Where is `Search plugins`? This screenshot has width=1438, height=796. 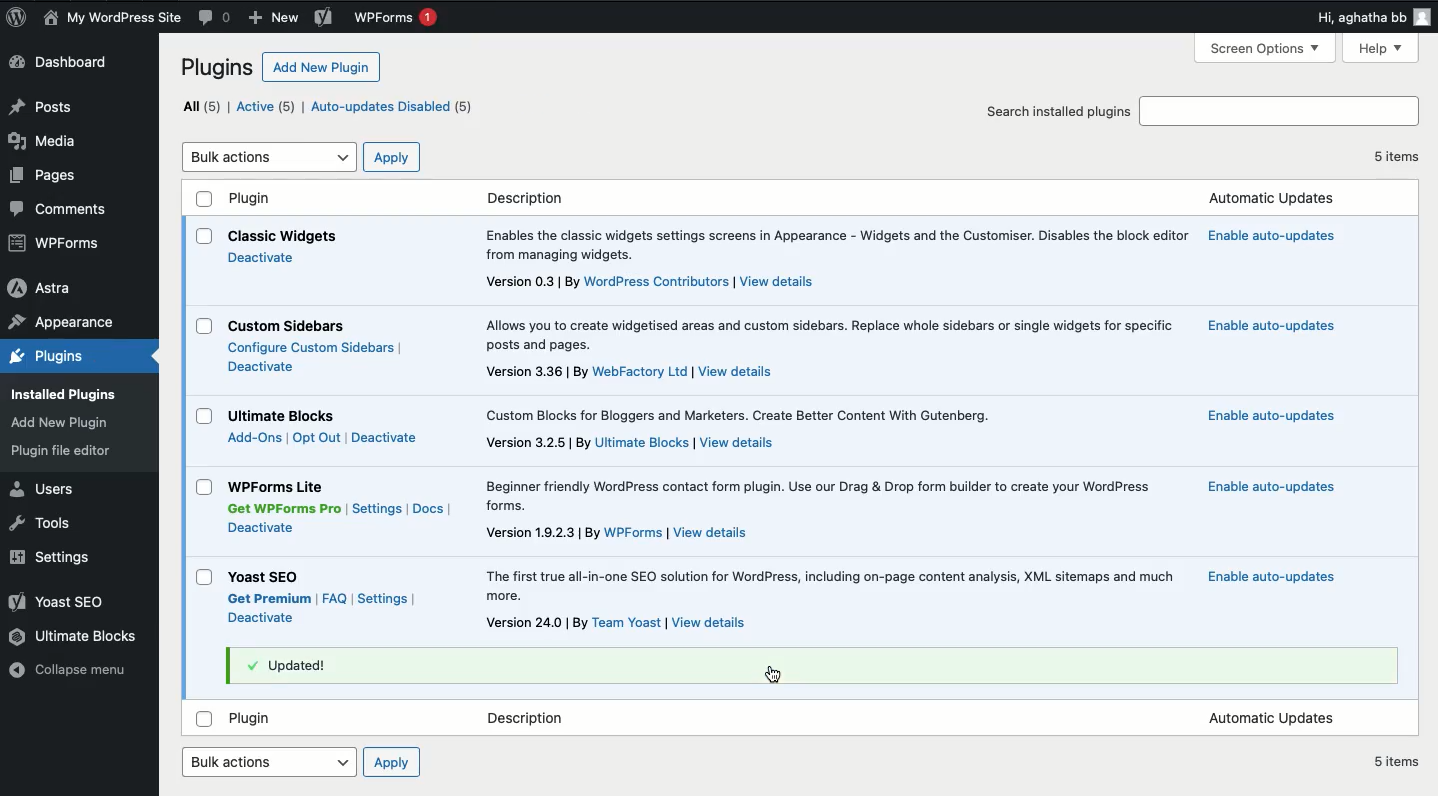
Search plugins is located at coordinates (1278, 112).